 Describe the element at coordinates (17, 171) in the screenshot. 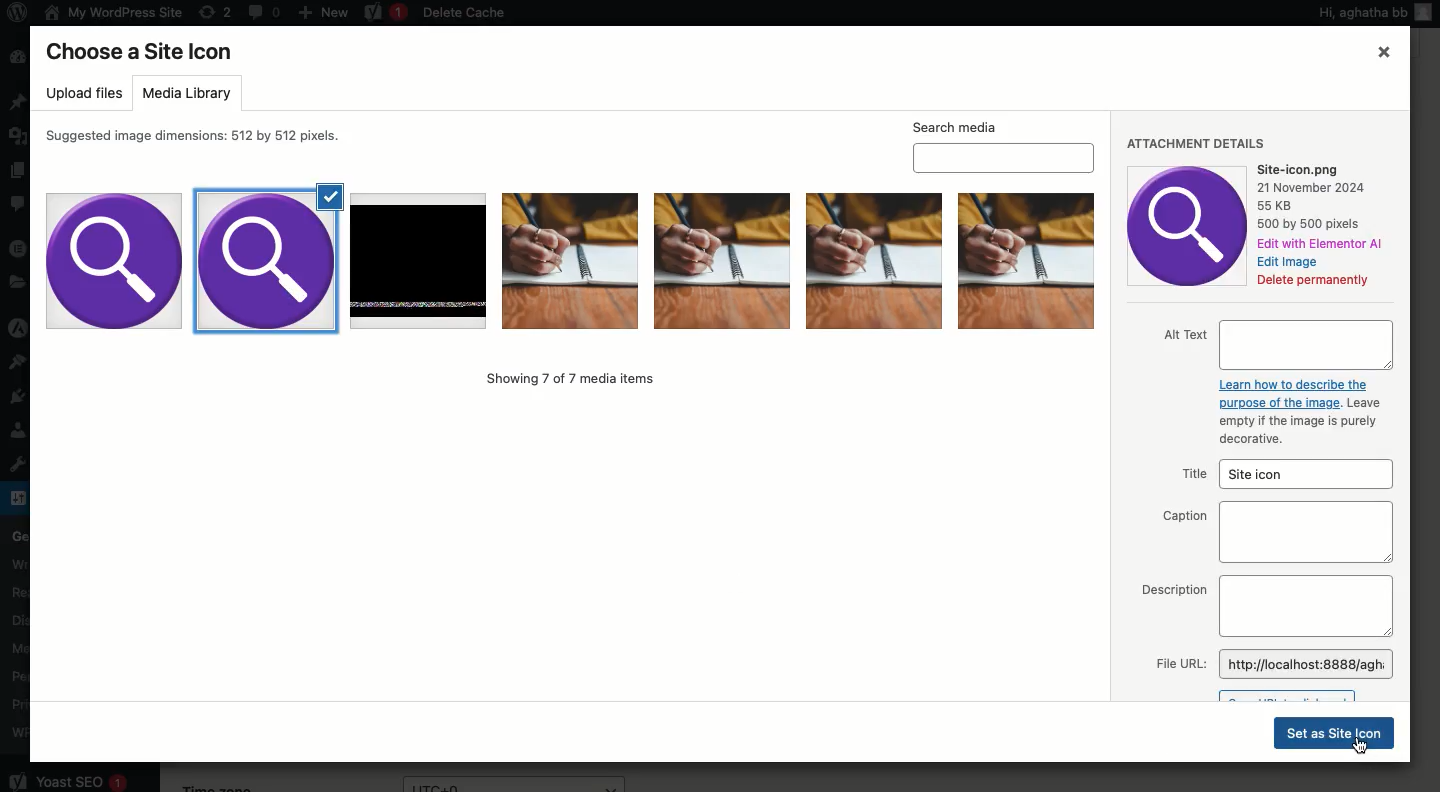

I see `Pages` at that location.